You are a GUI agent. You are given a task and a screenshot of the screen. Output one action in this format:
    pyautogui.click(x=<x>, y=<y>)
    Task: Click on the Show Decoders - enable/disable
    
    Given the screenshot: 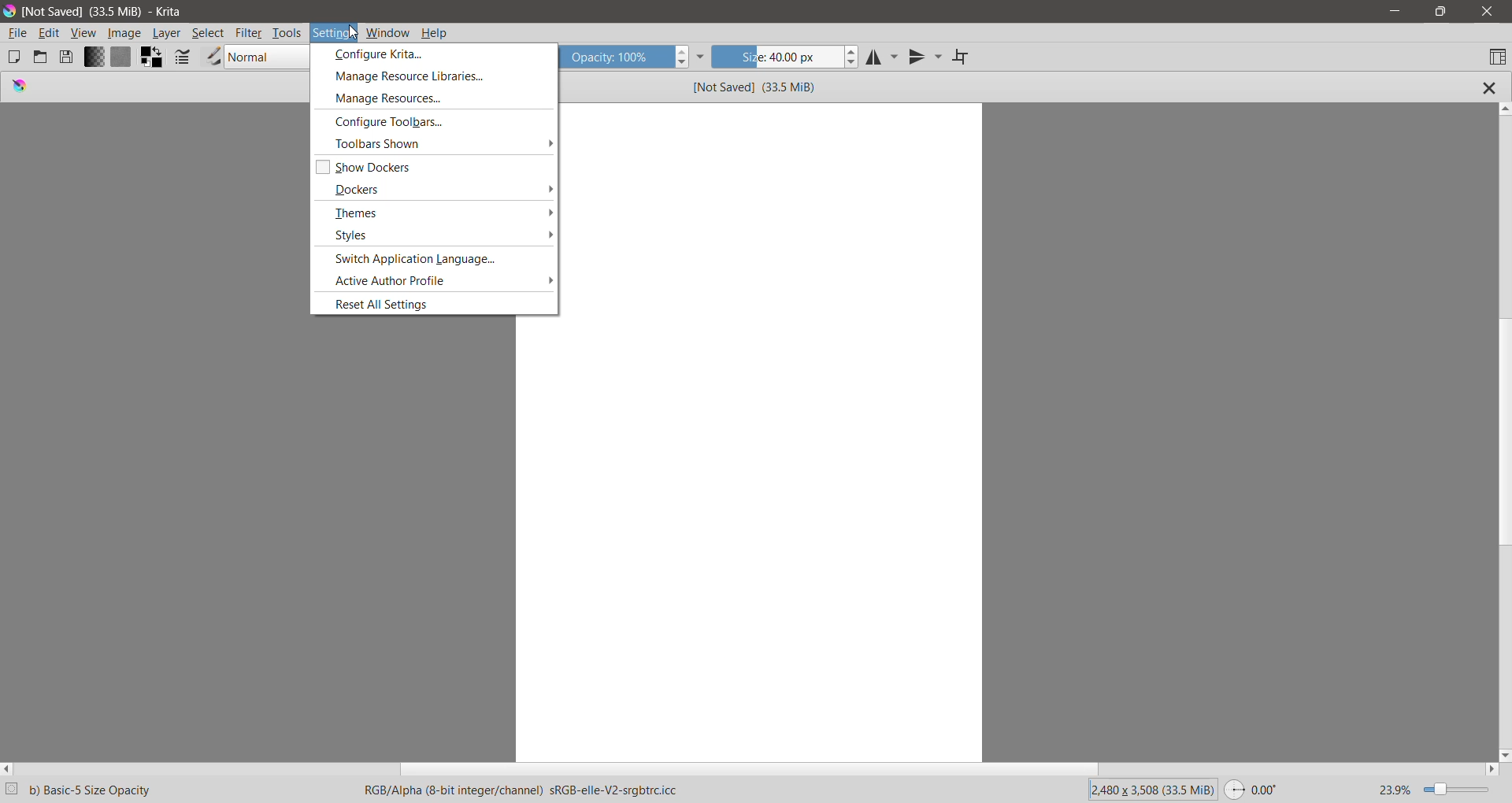 What is the action you would take?
    pyautogui.click(x=372, y=168)
    